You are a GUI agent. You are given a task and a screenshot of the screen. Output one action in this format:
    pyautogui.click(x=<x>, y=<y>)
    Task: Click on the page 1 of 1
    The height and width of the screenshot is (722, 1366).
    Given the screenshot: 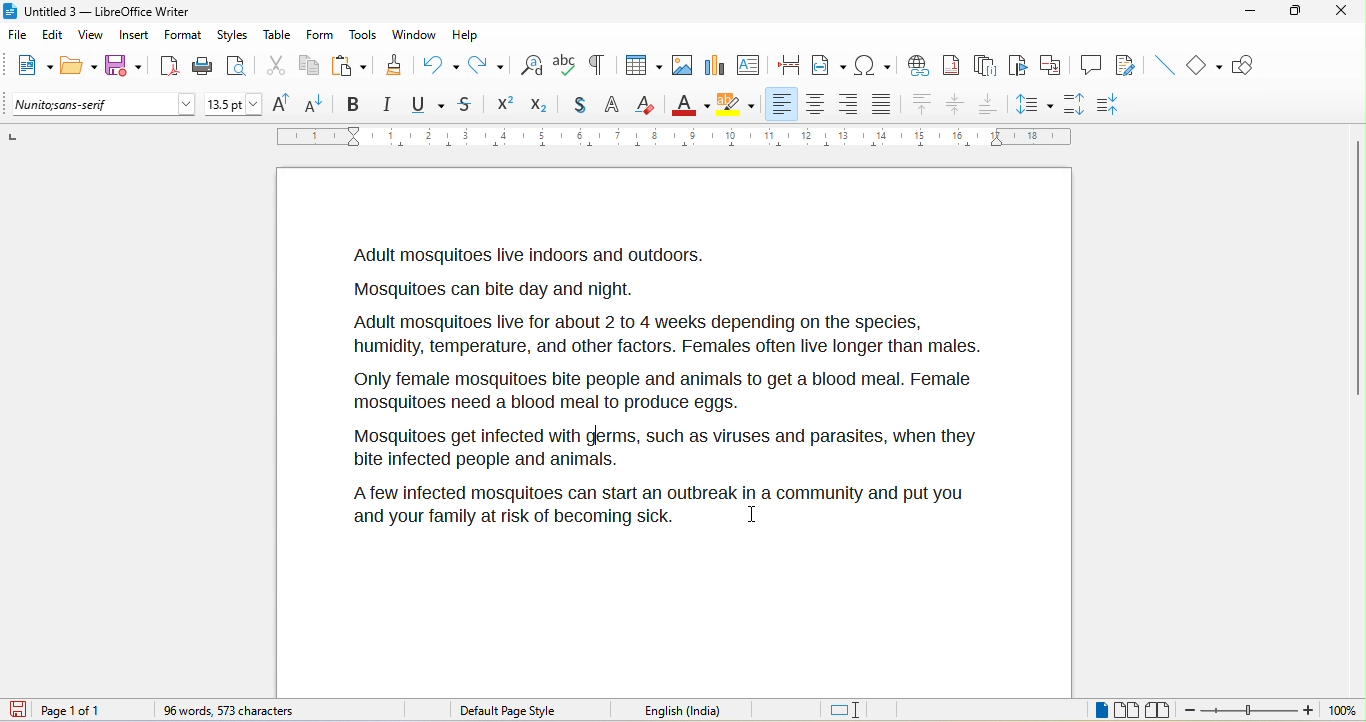 What is the action you would take?
    pyautogui.click(x=91, y=710)
    